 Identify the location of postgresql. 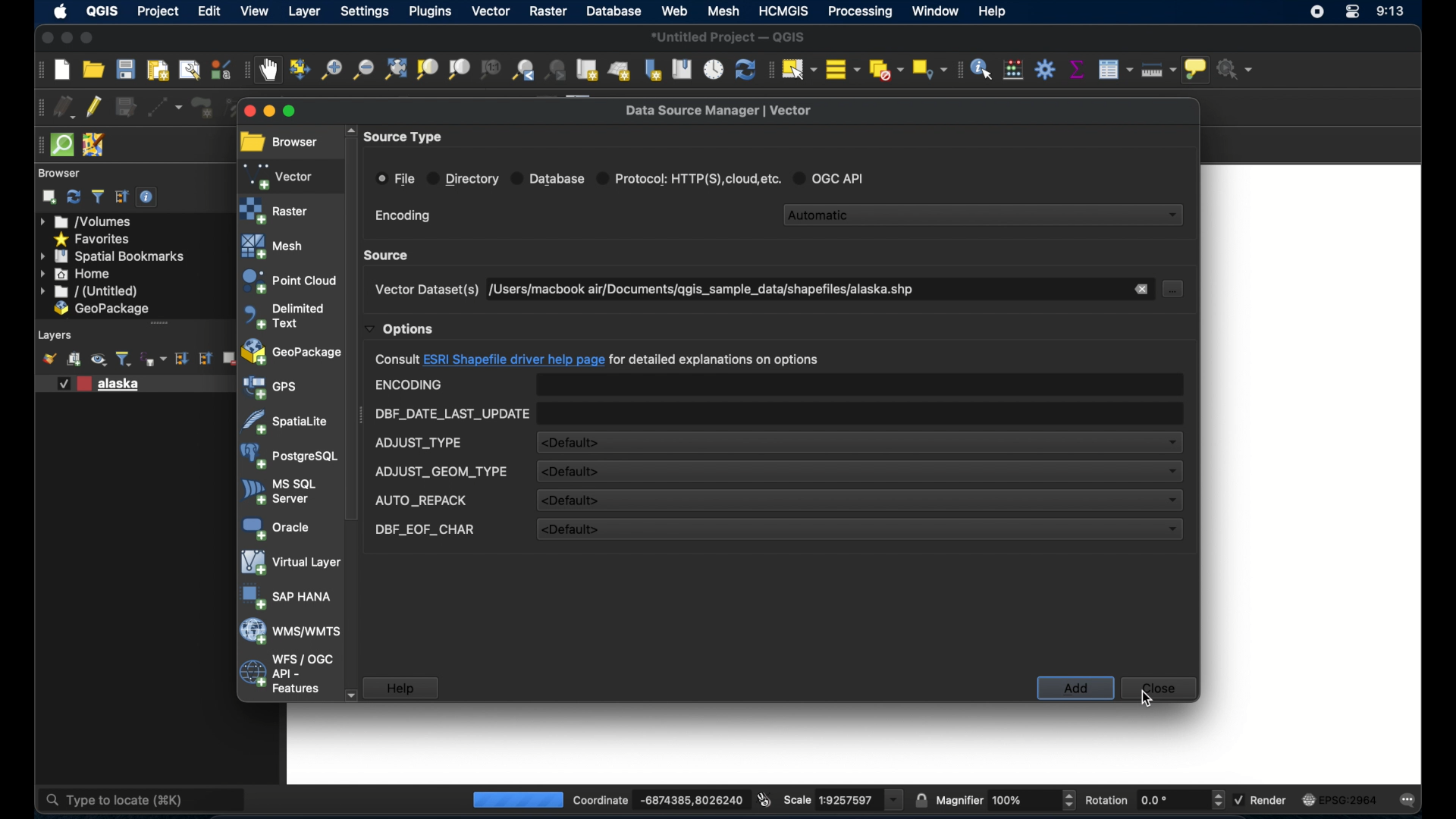
(289, 457).